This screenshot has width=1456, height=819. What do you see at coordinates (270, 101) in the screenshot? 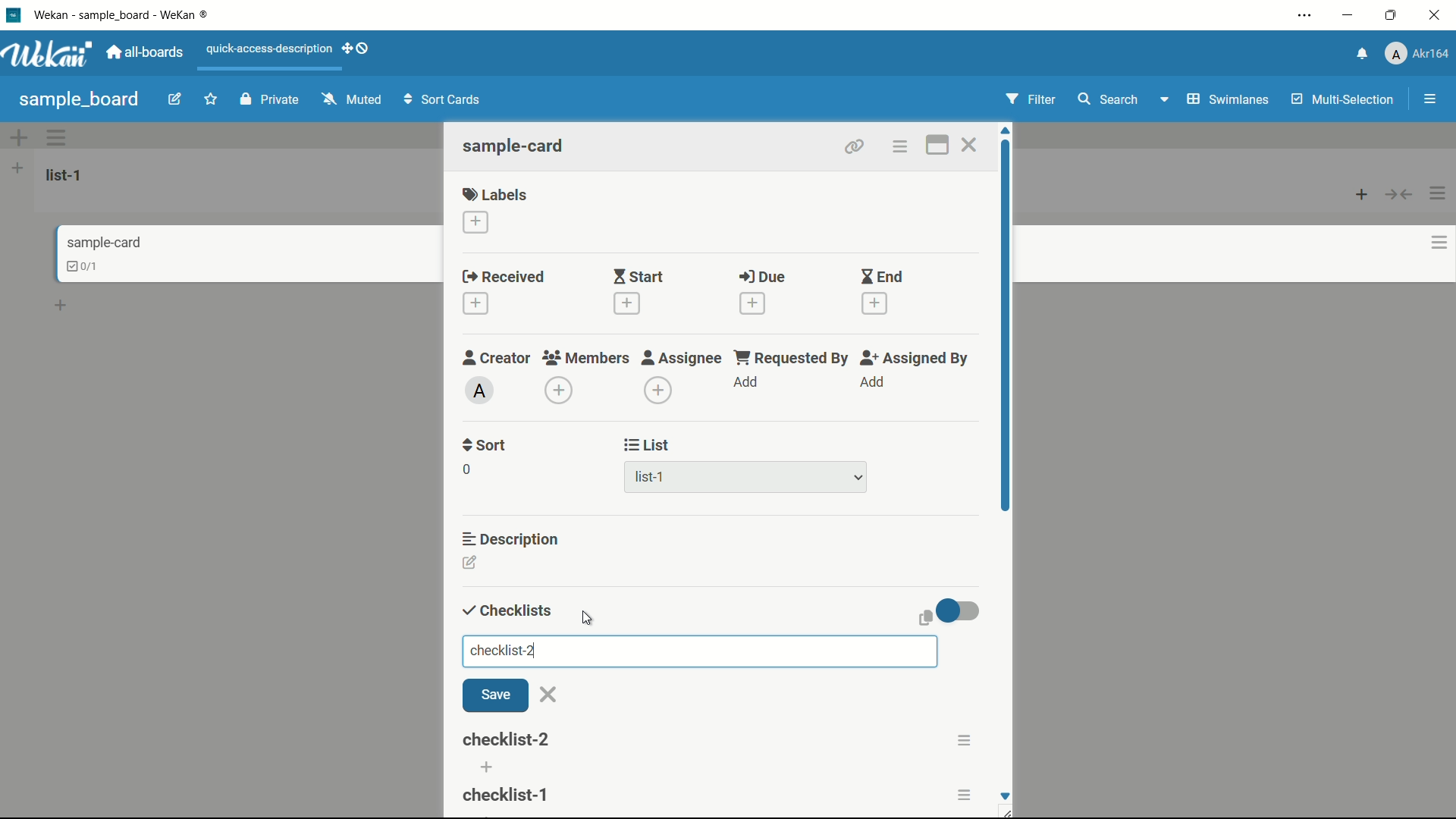
I see `private` at bounding box center [270, 101].